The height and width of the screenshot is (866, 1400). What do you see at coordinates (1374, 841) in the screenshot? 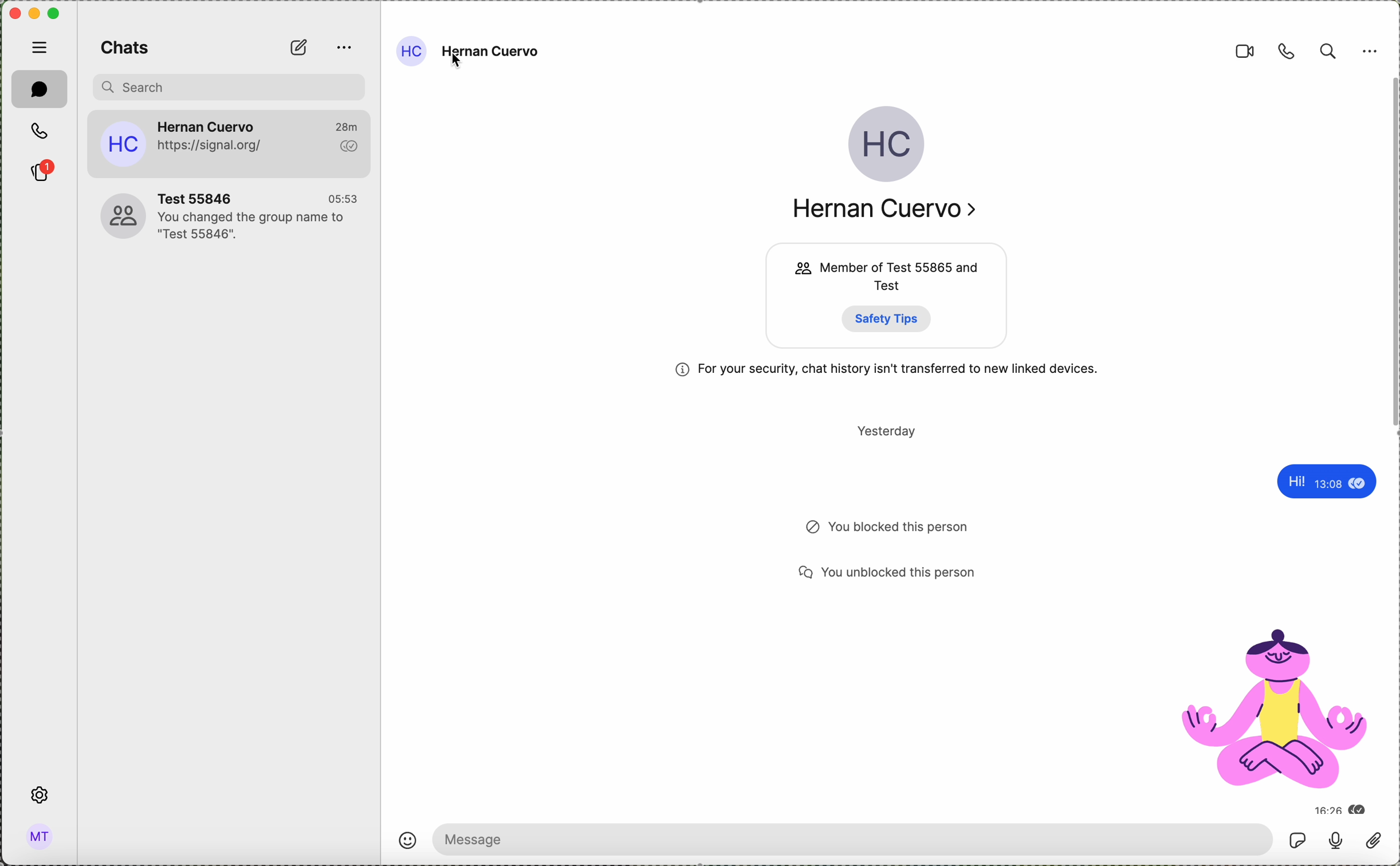
I see `attach file` at bounding box center [1374, 841].